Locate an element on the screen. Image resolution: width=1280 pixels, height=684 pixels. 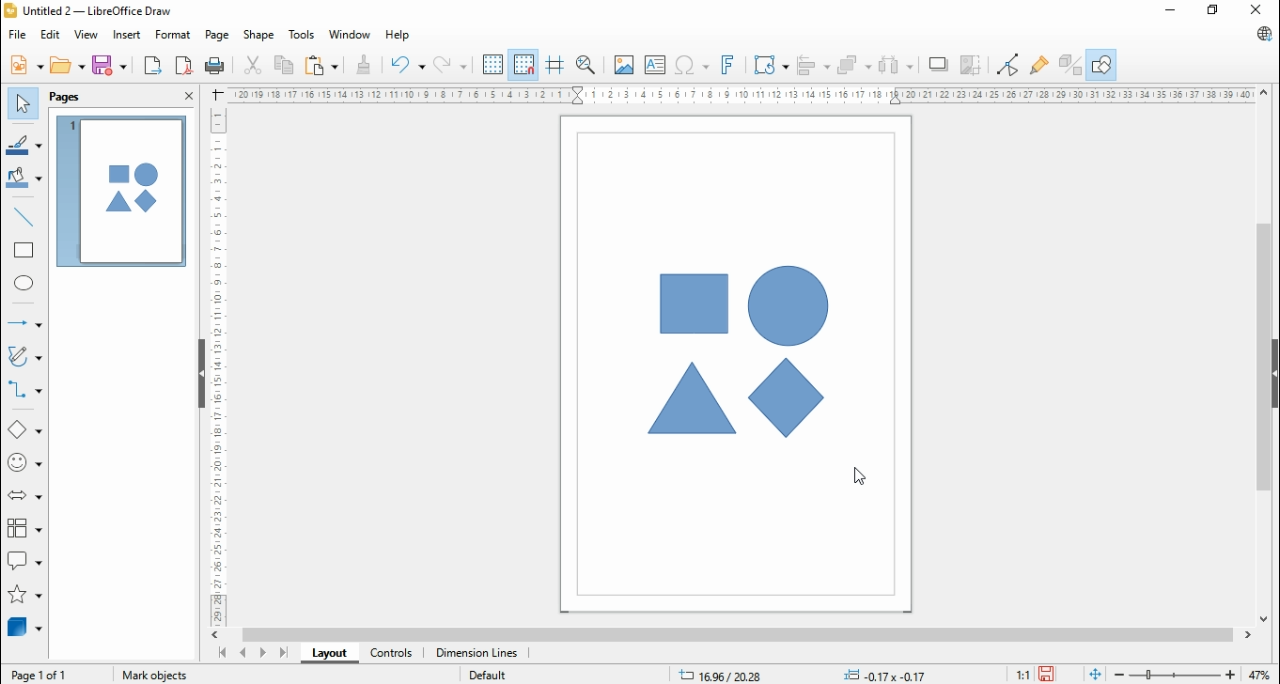
shape 2 is located at coordinates (692, 399).